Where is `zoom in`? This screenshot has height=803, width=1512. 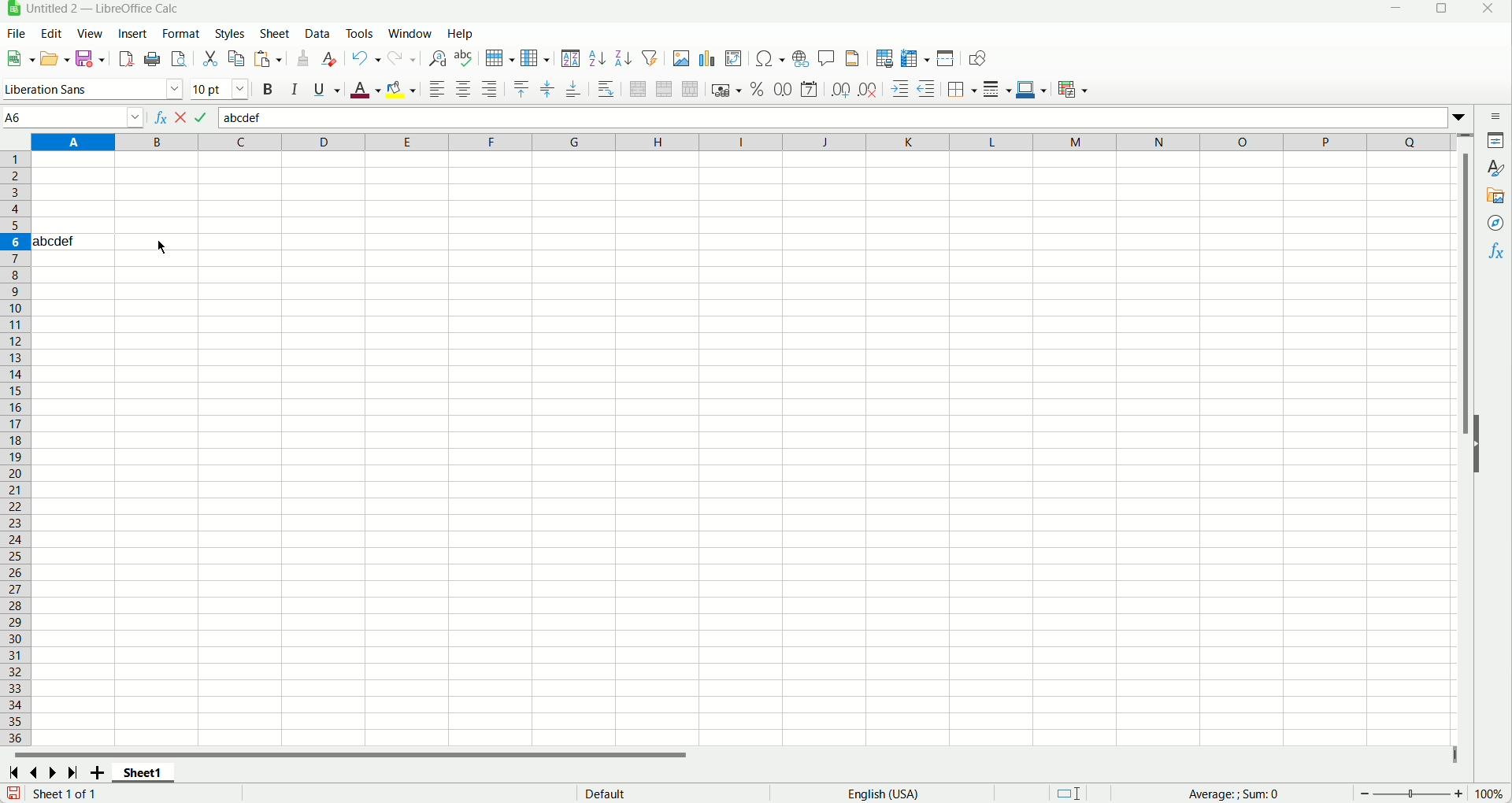 zoom in is located at coordinates (1458, 794).